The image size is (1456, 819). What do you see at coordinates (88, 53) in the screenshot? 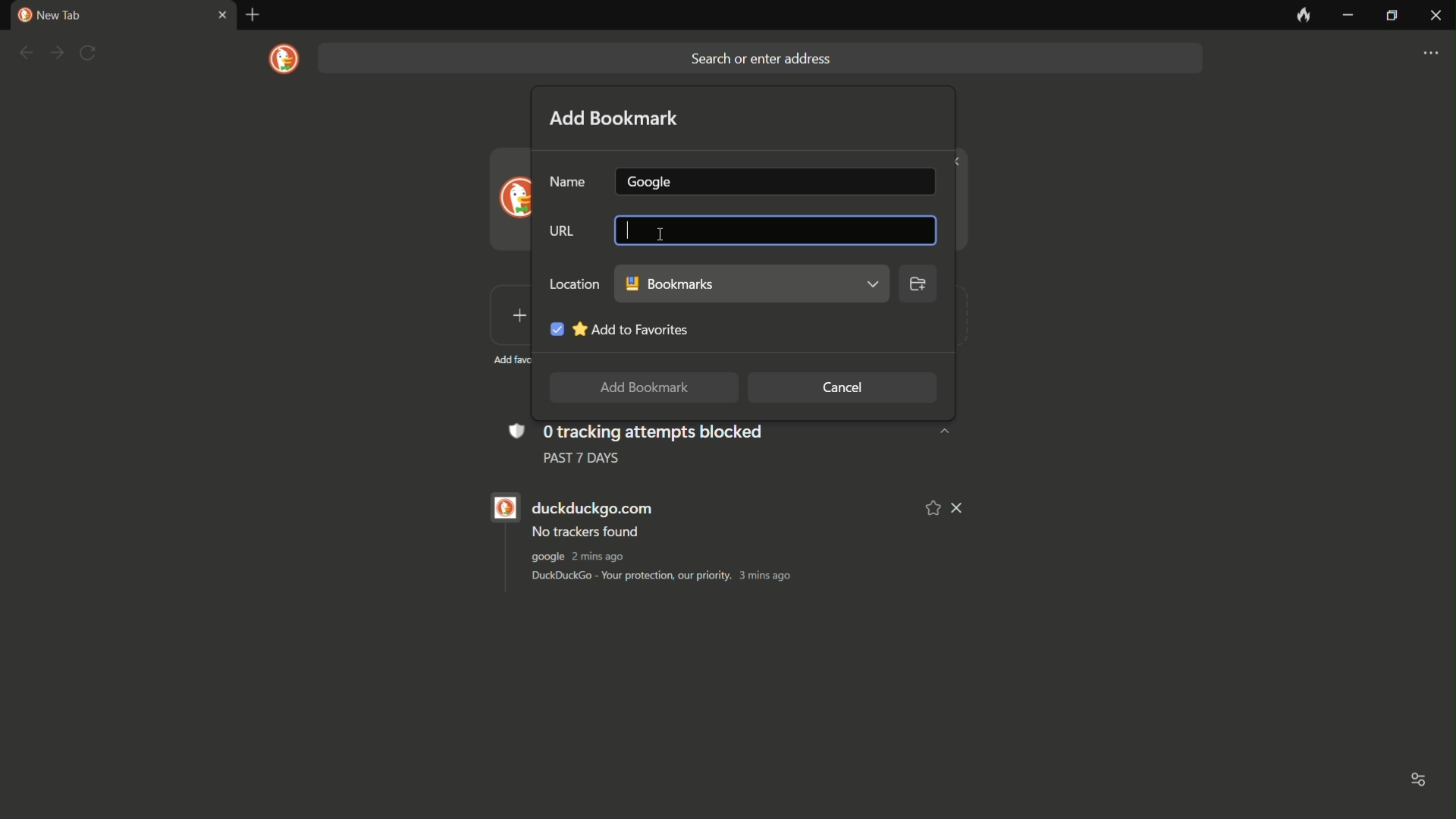
I see `refresh` at bounding box center [88, 53].